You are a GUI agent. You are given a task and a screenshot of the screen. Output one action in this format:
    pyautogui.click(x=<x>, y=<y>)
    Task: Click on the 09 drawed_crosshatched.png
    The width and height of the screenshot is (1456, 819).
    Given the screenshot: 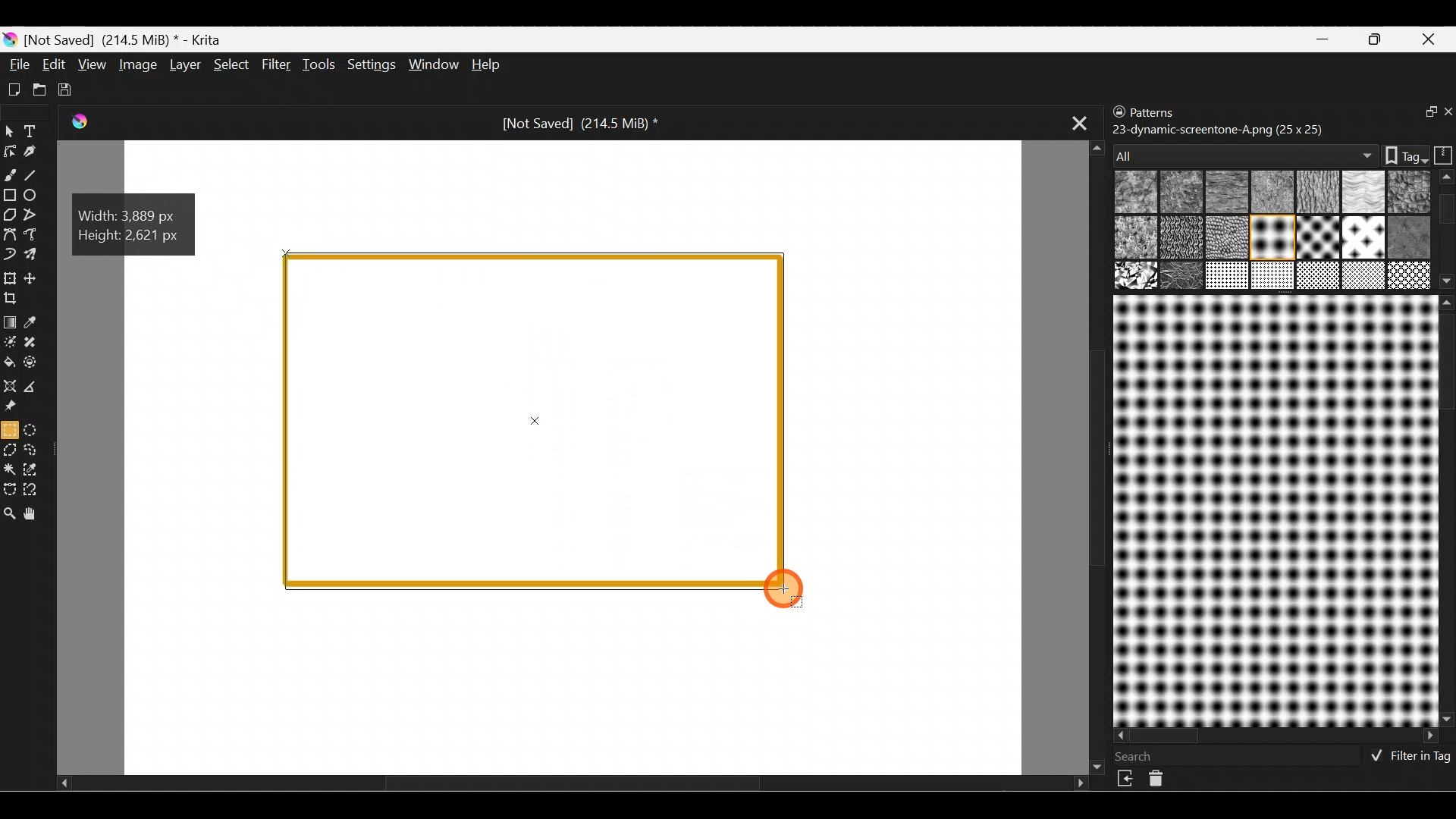 What is the action you would take?
    pyautogui.click(x=1179, y=239)
    